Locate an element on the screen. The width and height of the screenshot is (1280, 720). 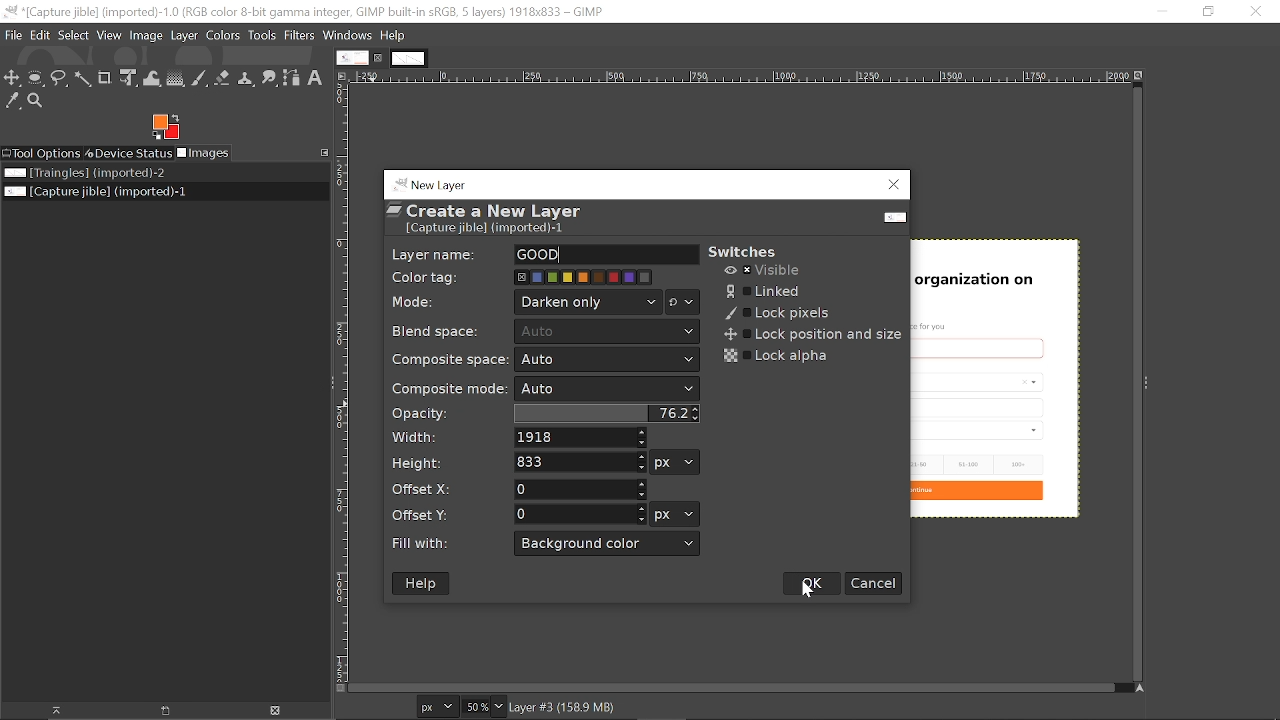
Help is located at coordinates (392, 36).